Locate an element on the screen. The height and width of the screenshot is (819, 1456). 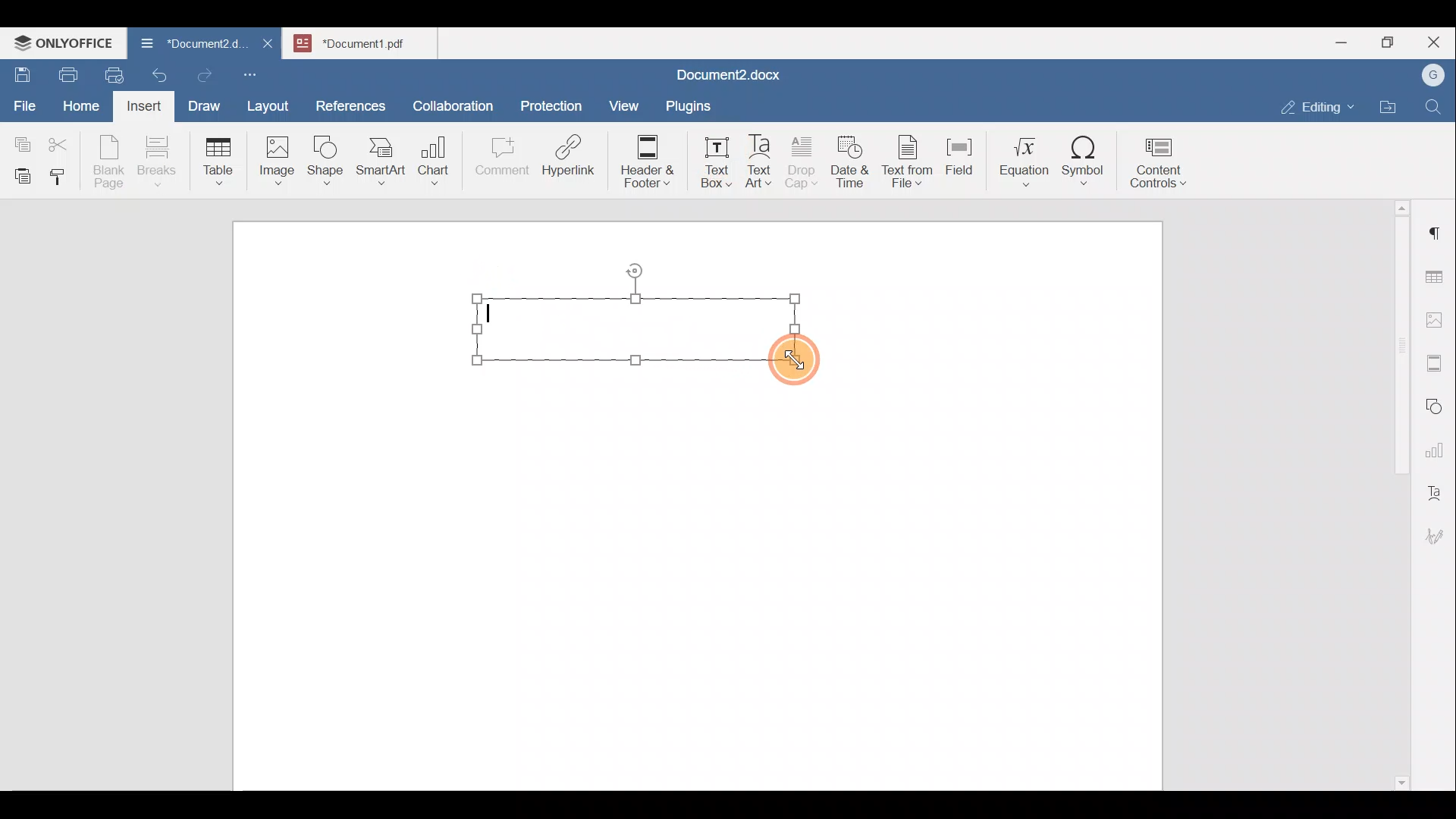
Find is located at coordinates (1435, 108).